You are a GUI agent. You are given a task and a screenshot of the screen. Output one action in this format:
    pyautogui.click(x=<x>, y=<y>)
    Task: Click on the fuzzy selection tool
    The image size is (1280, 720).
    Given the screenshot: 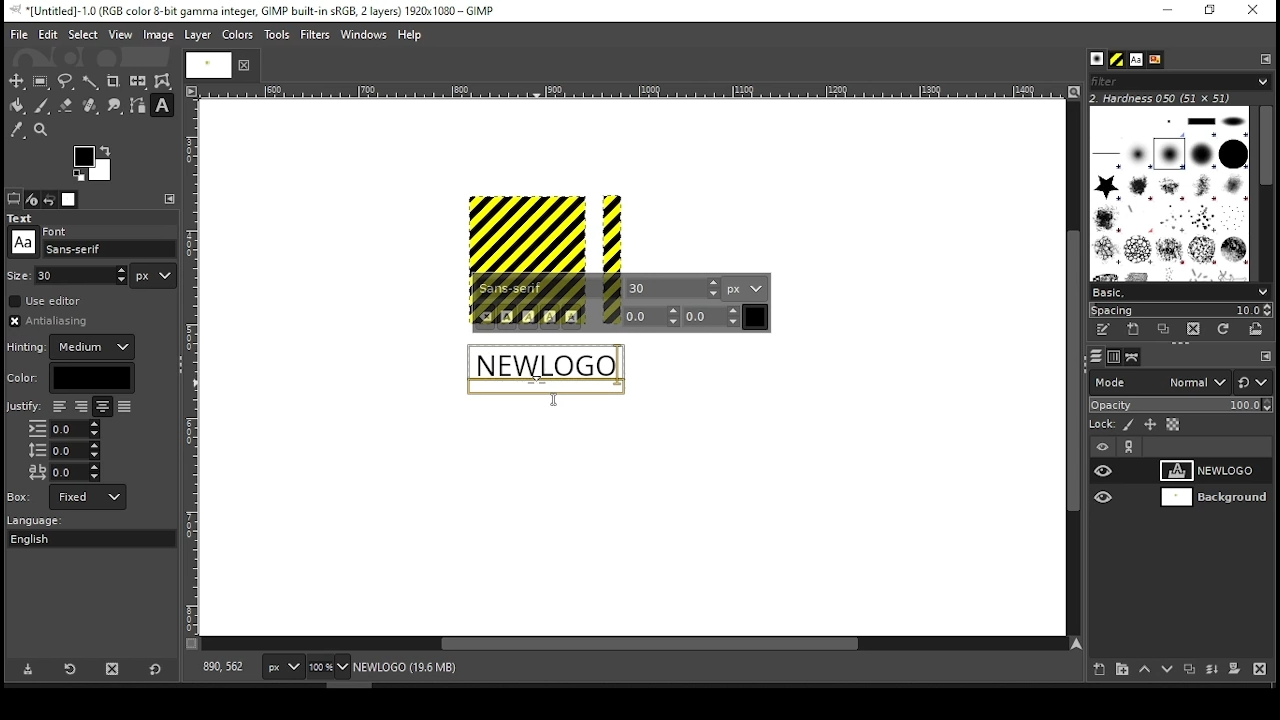 What is the action you would take?
    pyautogui.click(x=91, y=82)
    